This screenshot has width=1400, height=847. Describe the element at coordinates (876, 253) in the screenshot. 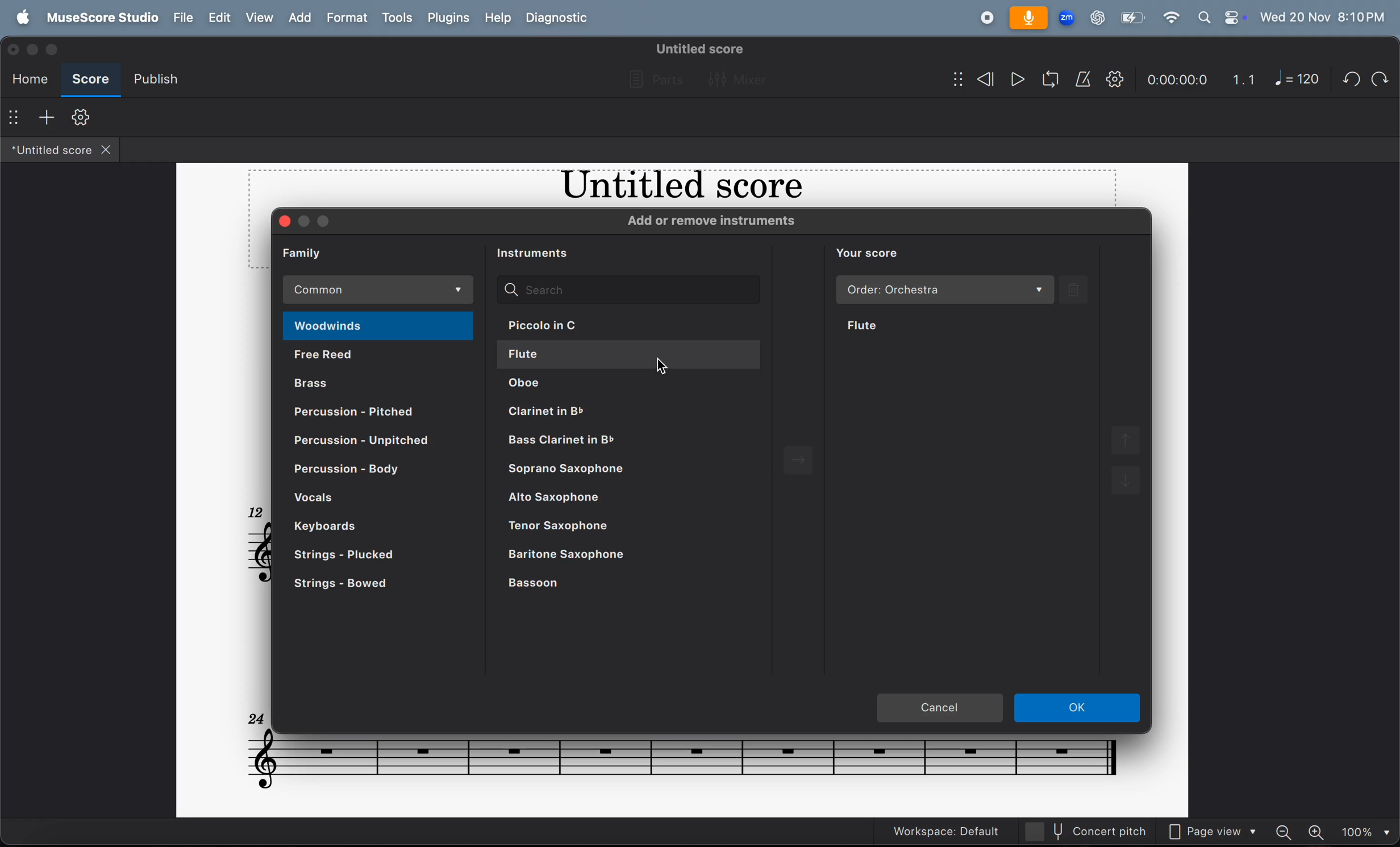

I see `you score` at that location.